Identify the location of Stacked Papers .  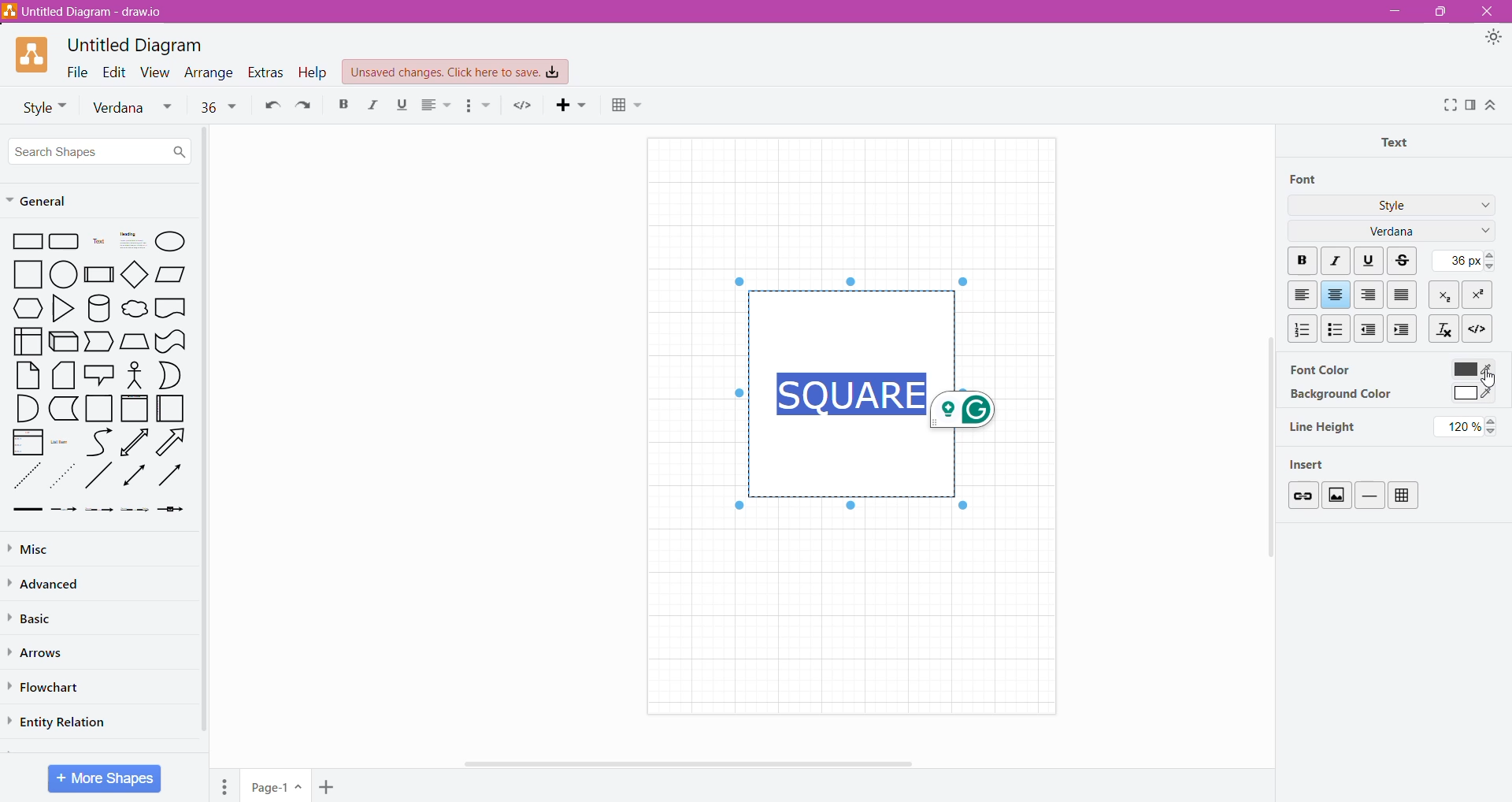
(62, 375).